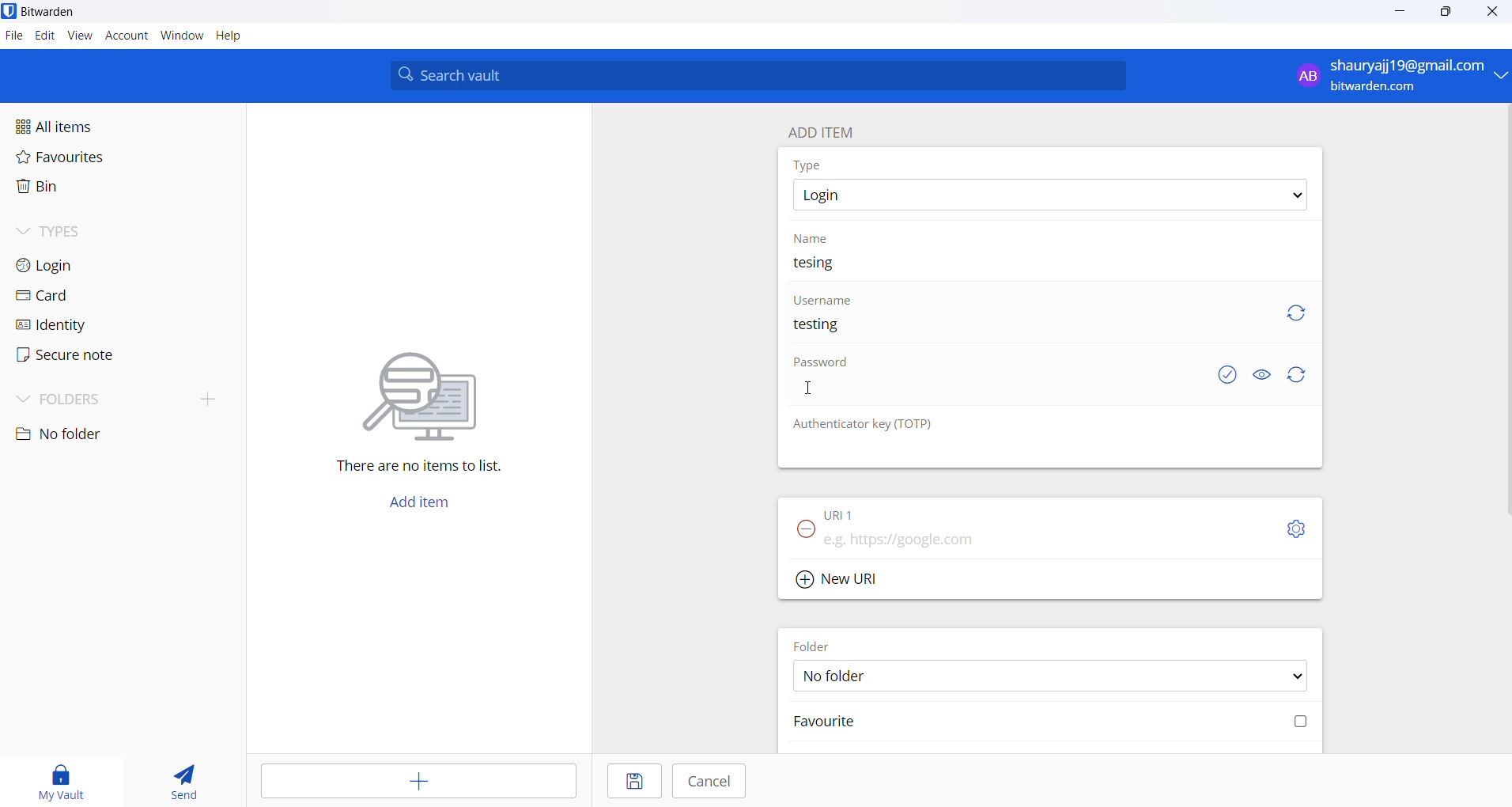 The width and height of the screenshot is (1512, 807). I want to click on Help, so click(238, 37).